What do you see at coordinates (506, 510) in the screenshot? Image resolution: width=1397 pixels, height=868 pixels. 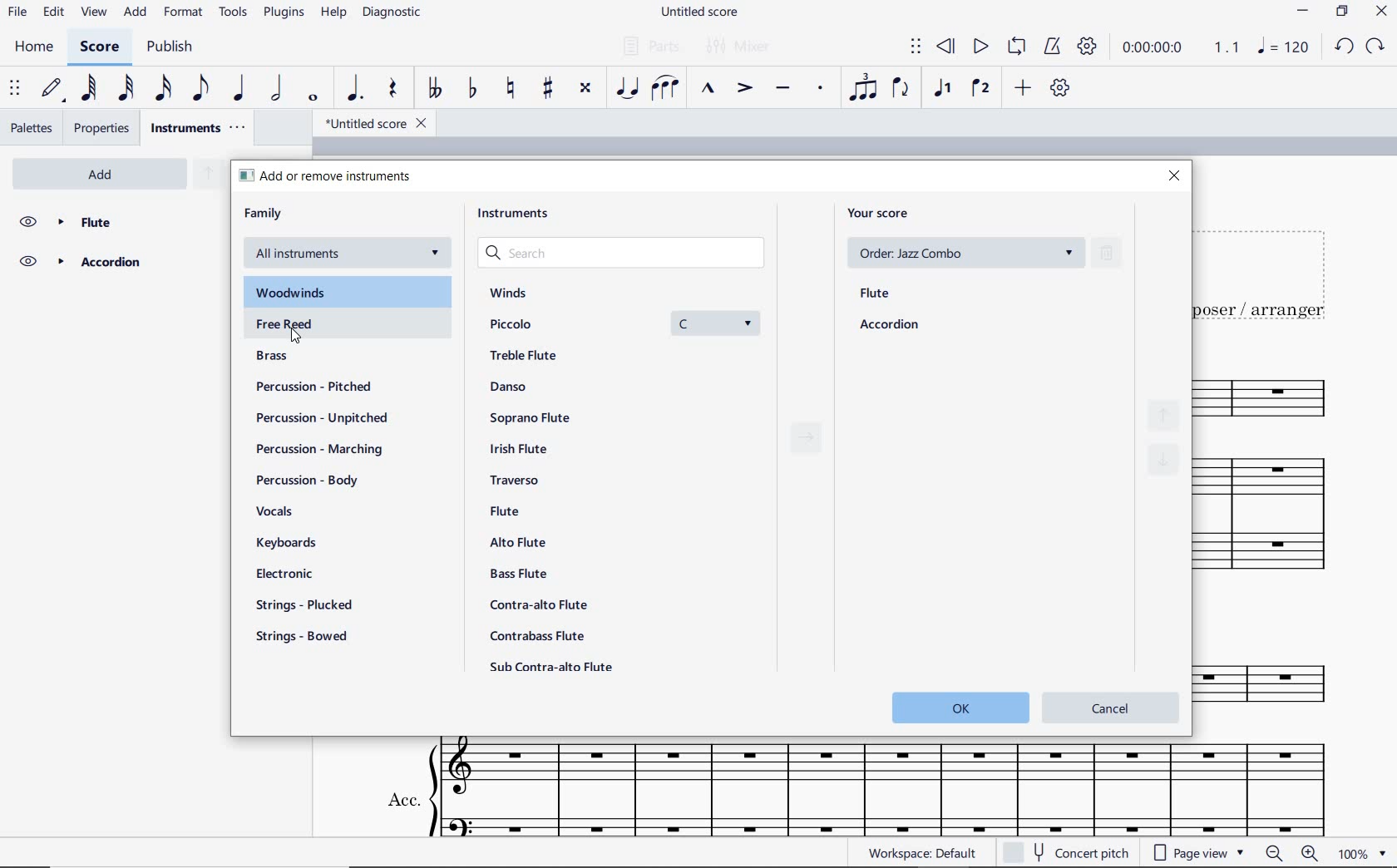 I see `flute` at bounding box center [506, 510].